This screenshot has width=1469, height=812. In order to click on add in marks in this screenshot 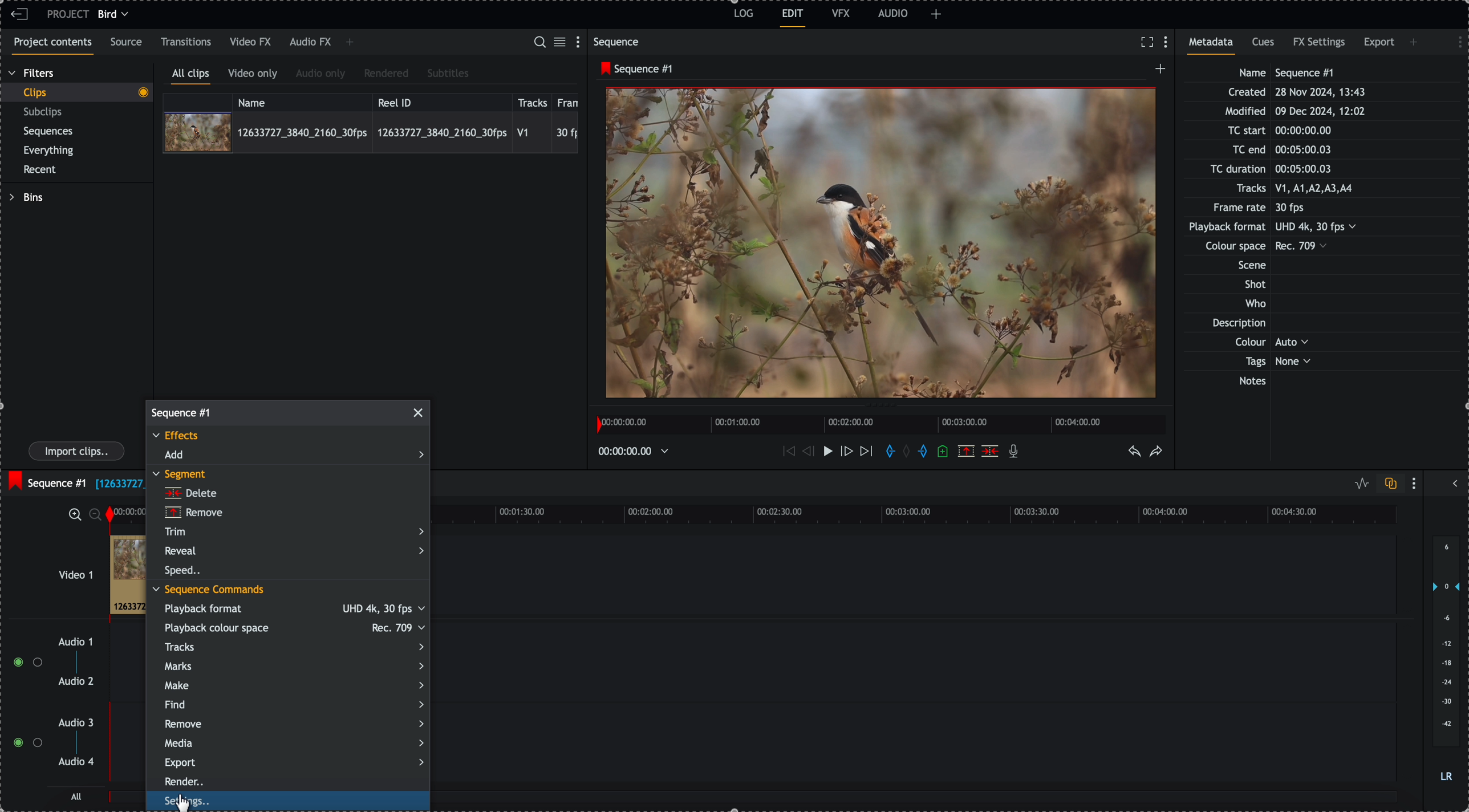, I will do `click(888, 452)`.